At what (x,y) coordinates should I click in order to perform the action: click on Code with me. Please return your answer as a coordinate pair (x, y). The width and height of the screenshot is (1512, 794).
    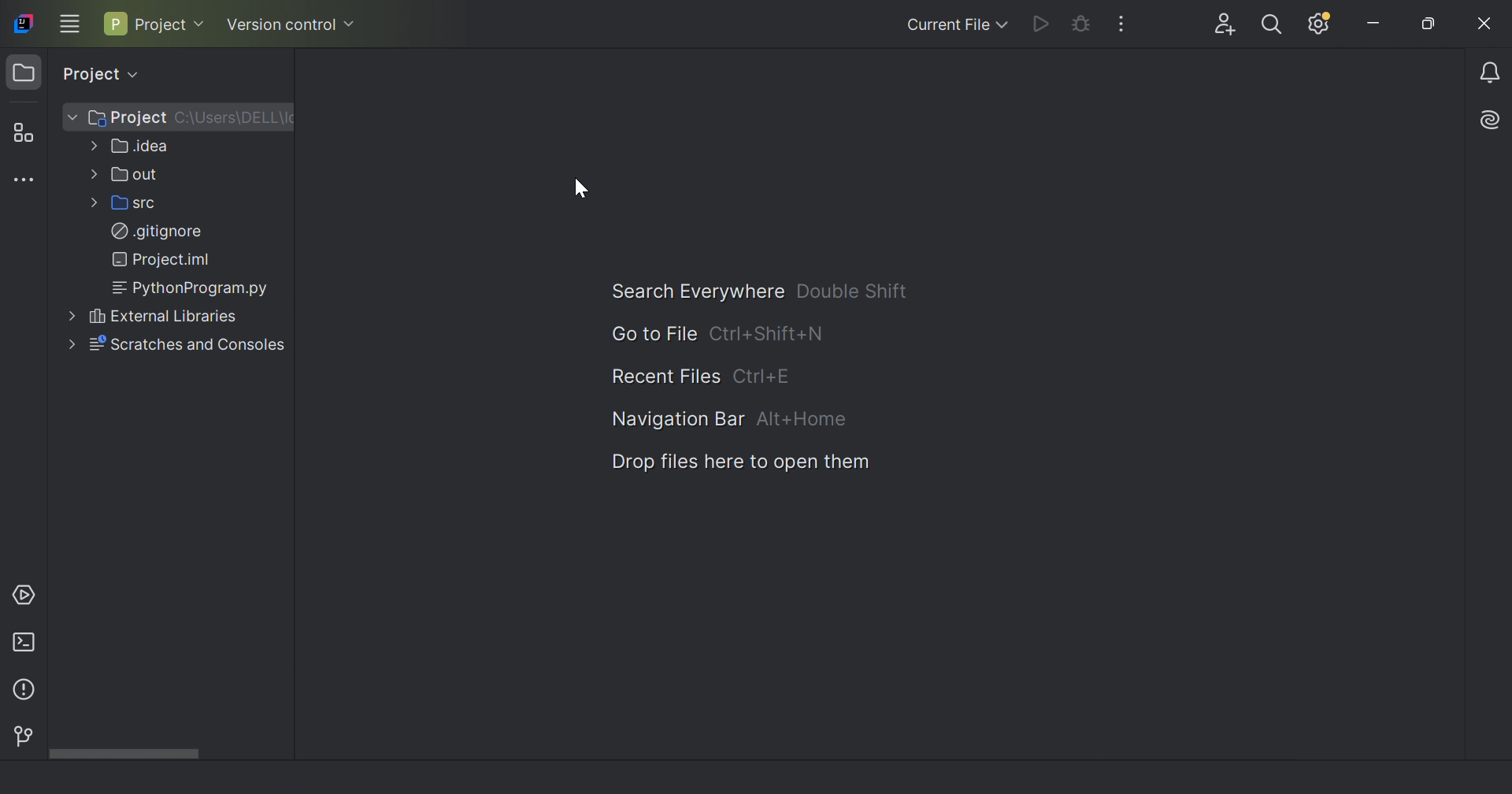
    Looking at the image, I should click on (1220, 25).